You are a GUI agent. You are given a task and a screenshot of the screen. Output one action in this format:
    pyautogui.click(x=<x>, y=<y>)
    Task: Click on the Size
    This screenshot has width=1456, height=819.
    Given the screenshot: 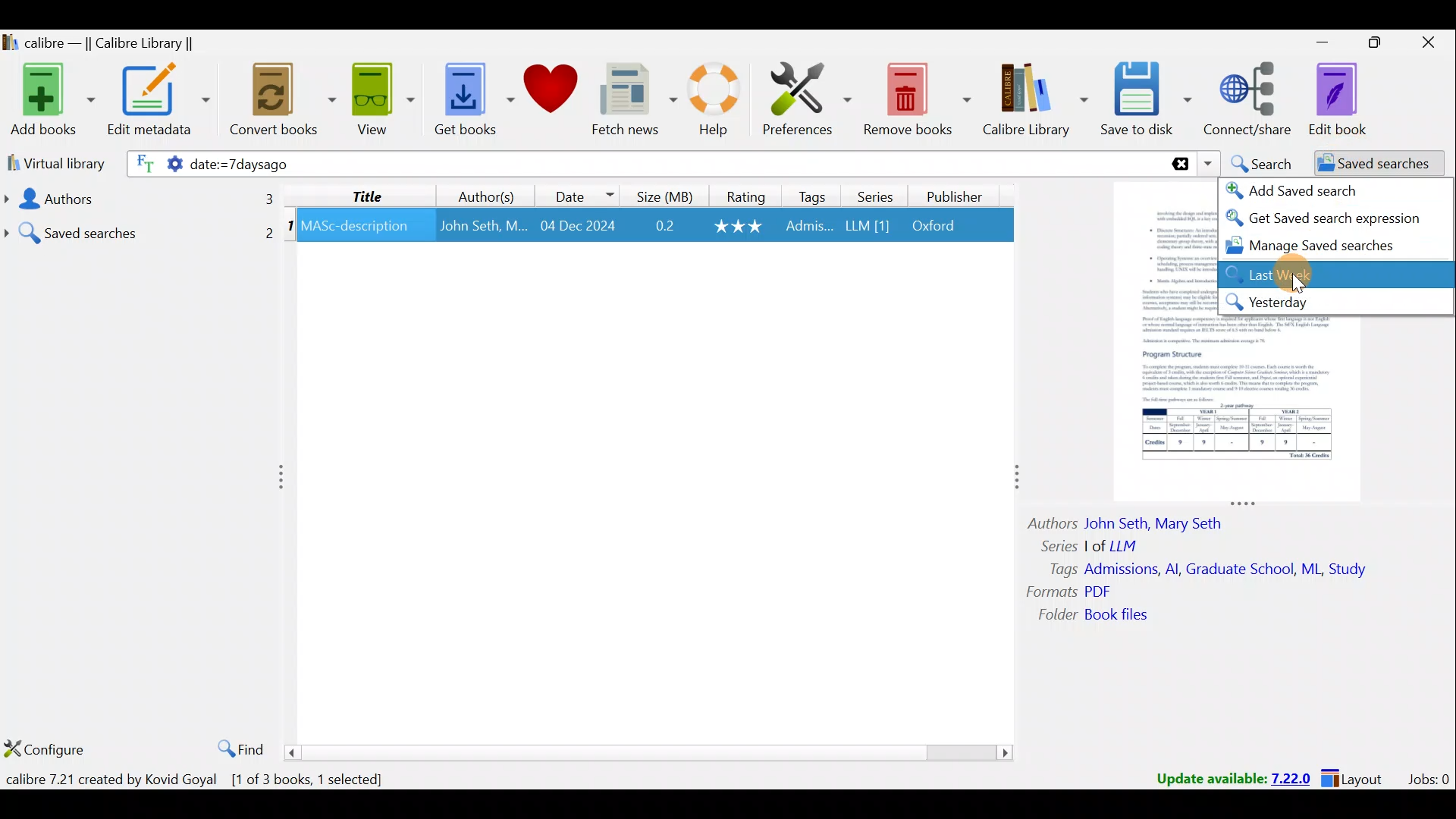 What is the action you would take?
    pyautogui.click(x=661, y=195)
    